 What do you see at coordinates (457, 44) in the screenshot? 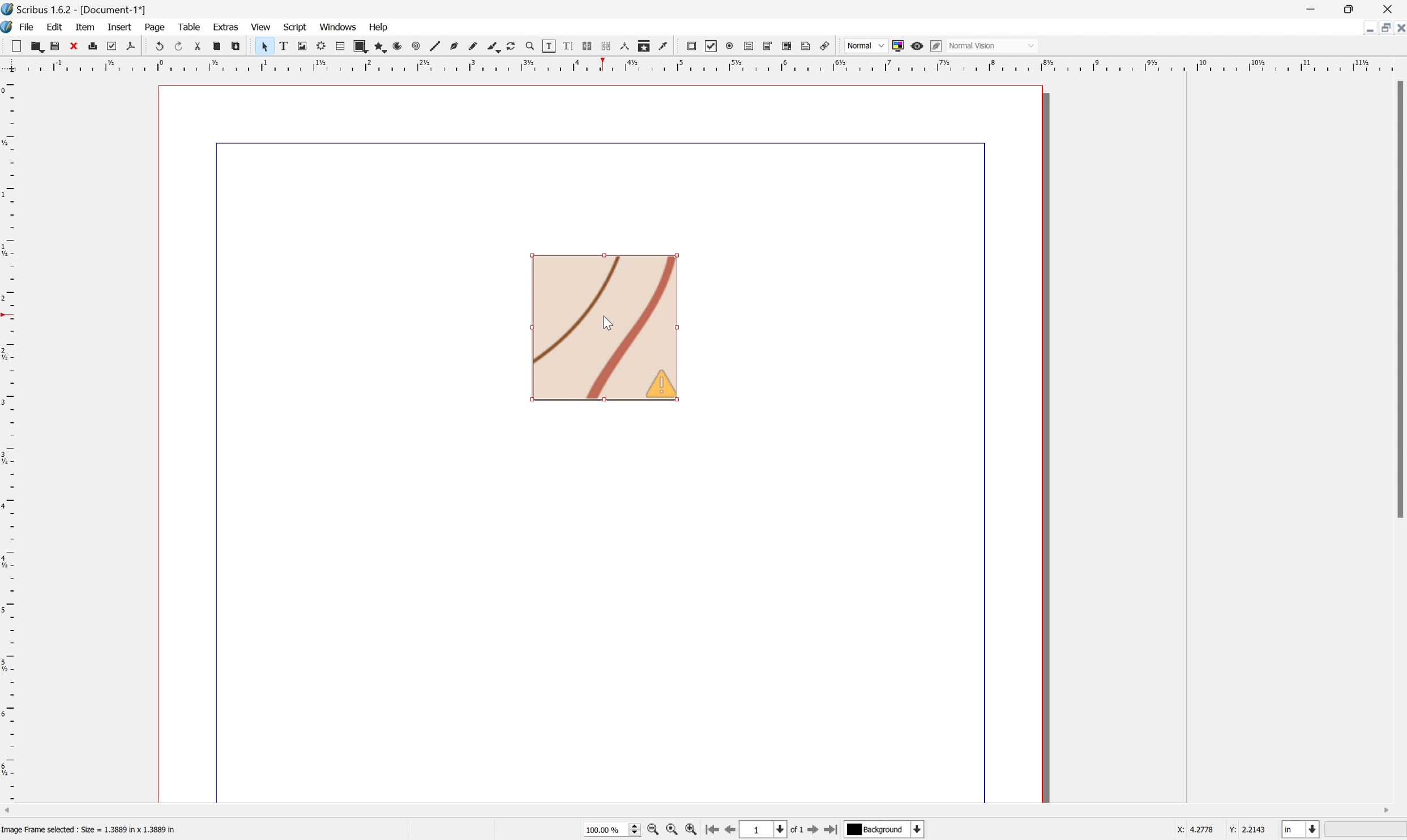
I see `Bezier curve` at bounding box center [457, 44].